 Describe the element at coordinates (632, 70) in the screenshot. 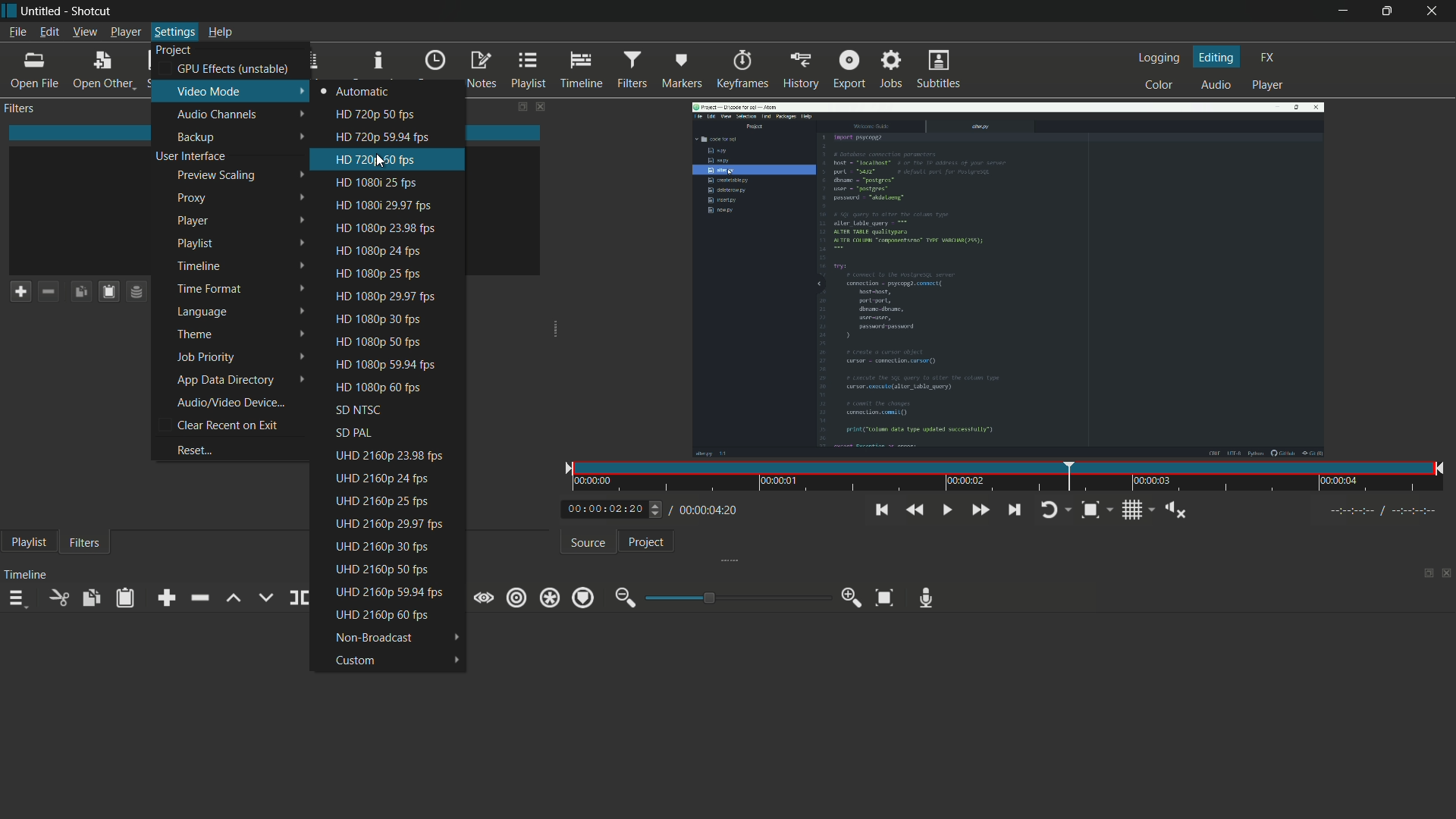

I see `filters` at that location.